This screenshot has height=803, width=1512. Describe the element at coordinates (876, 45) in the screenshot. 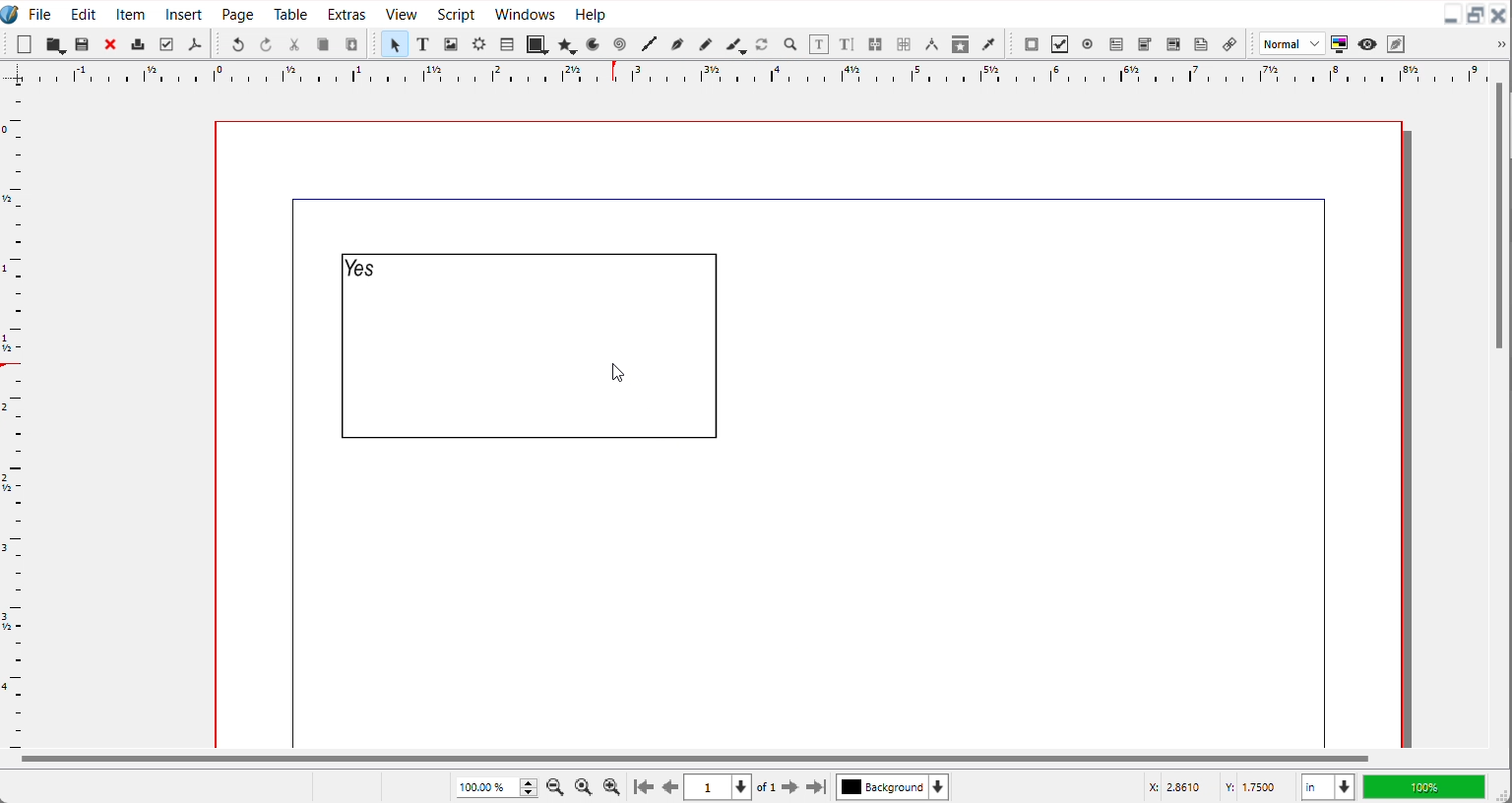

I see `Link text frame` at that location.